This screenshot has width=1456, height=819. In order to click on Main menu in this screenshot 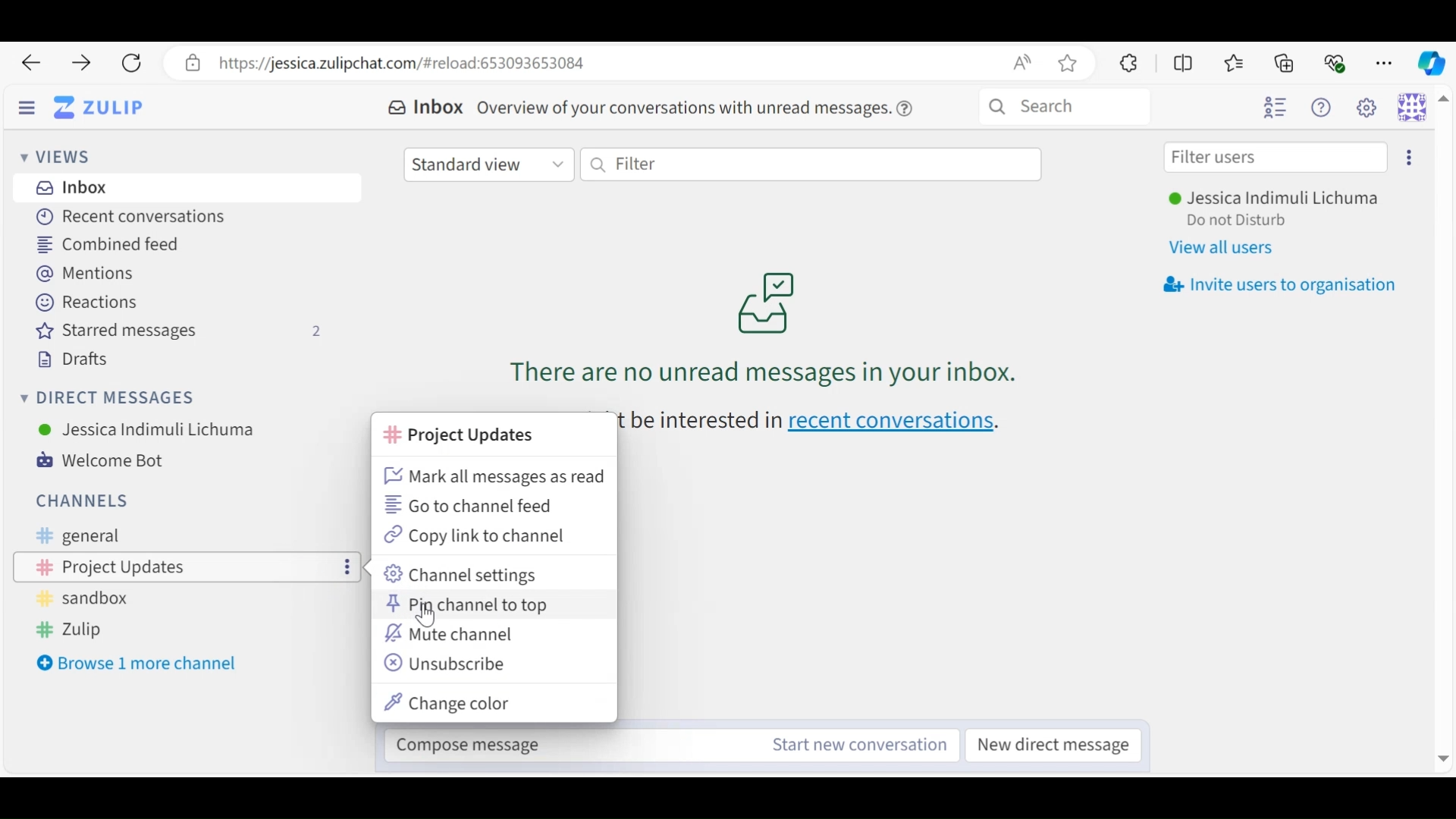, I will do `click(1370, 108)`.